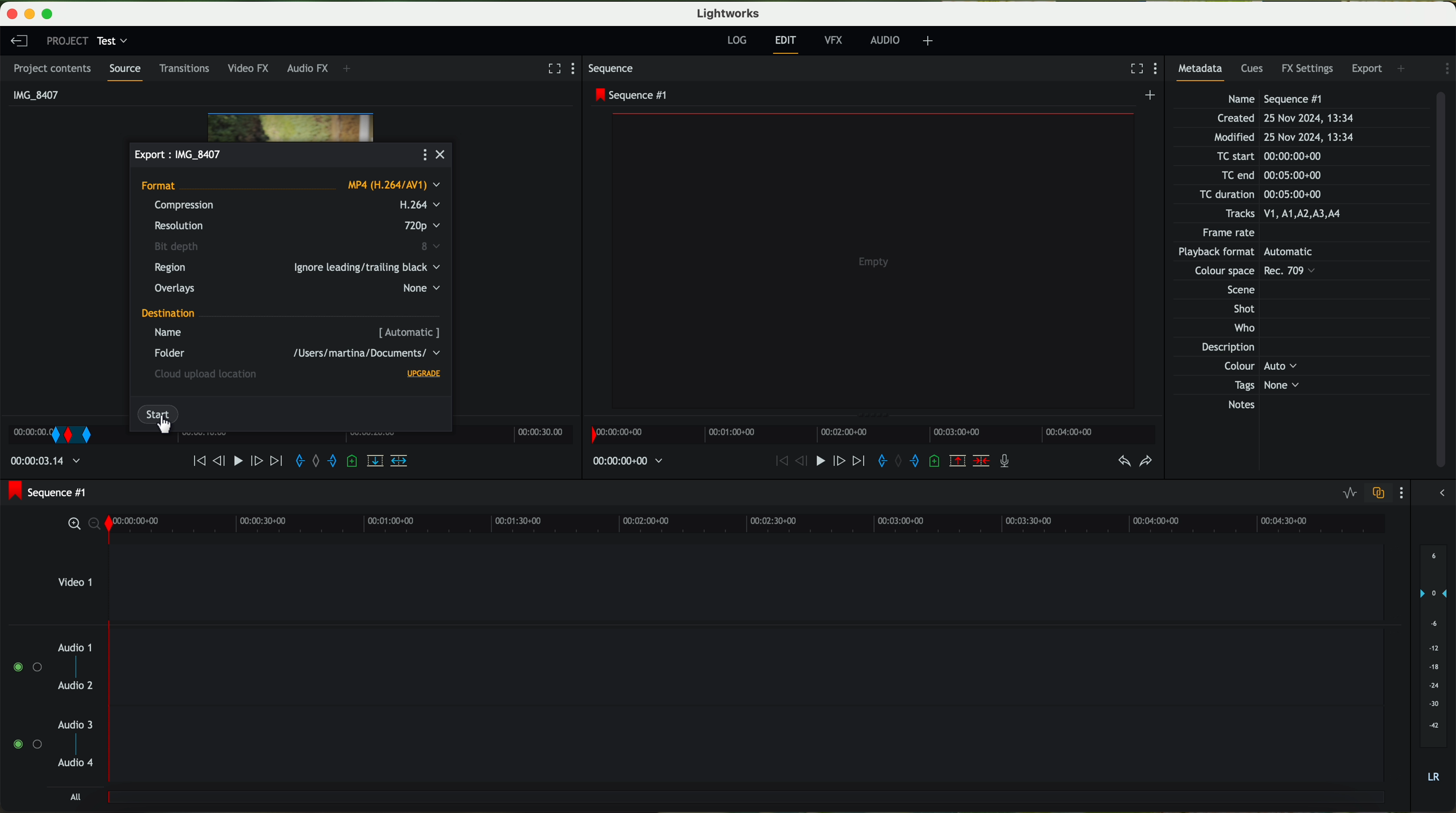  I want to click on add an in mark, so click(301, 462).